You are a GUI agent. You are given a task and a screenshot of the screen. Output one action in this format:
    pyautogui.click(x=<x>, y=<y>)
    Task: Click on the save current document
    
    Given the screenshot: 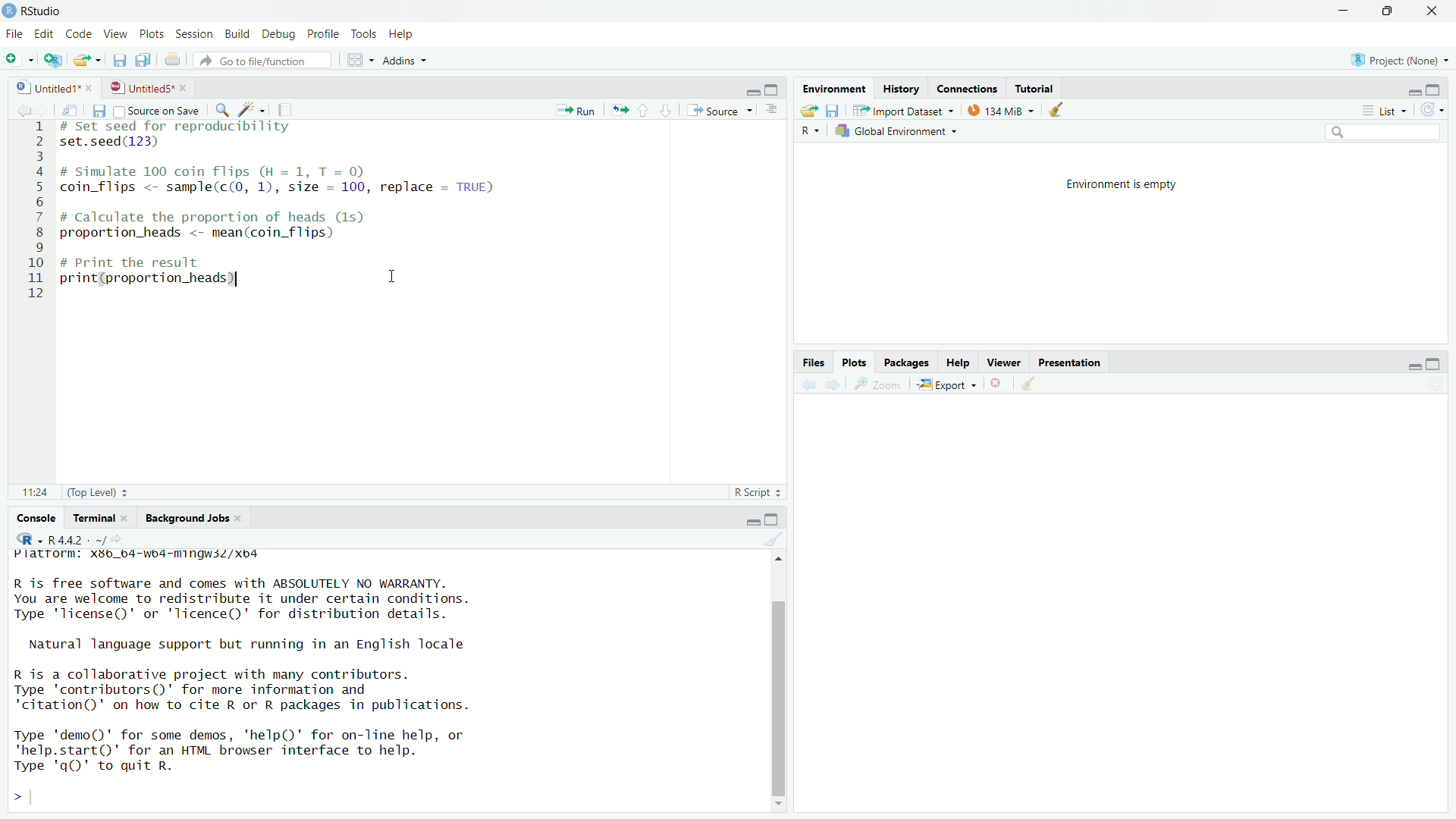 What is the action you would take?
    pyautogui.click(x=118, y=61)
    